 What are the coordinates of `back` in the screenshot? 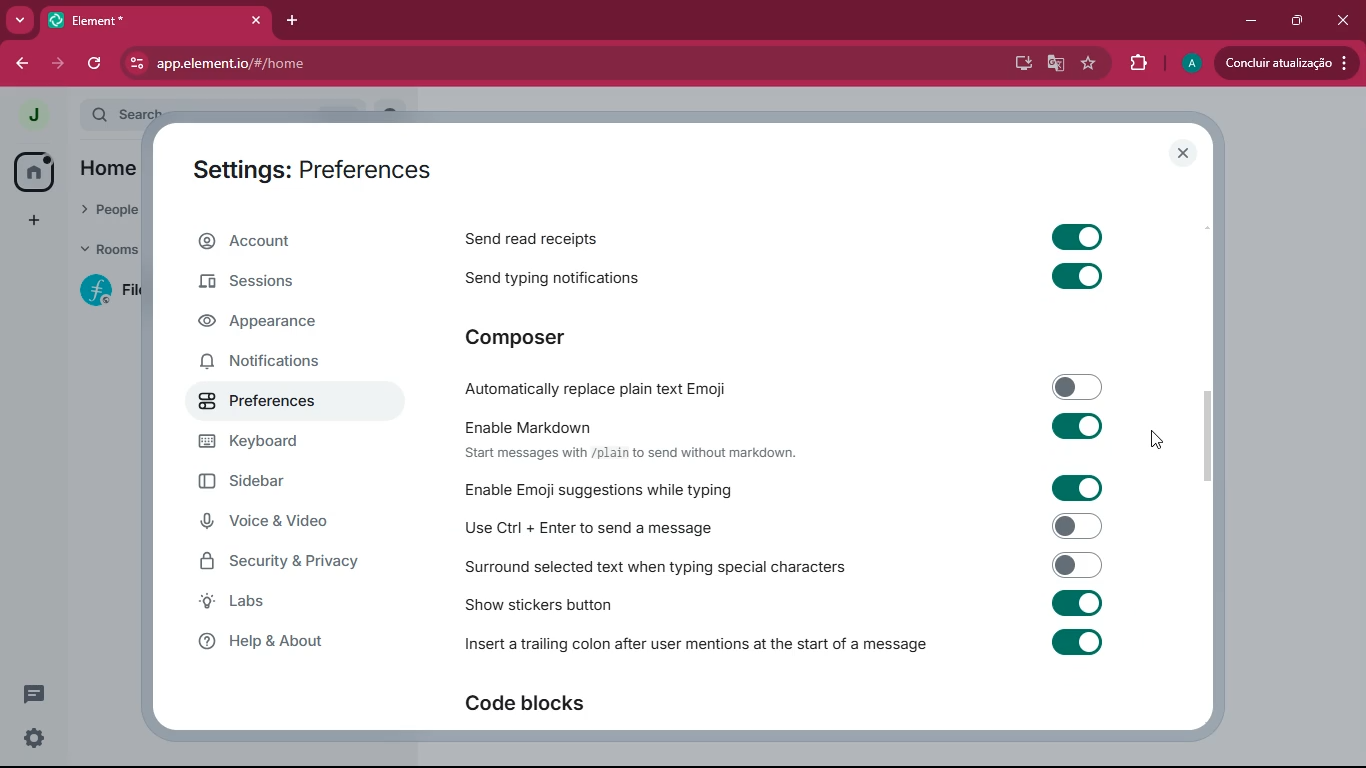 It's located at (21, 64).